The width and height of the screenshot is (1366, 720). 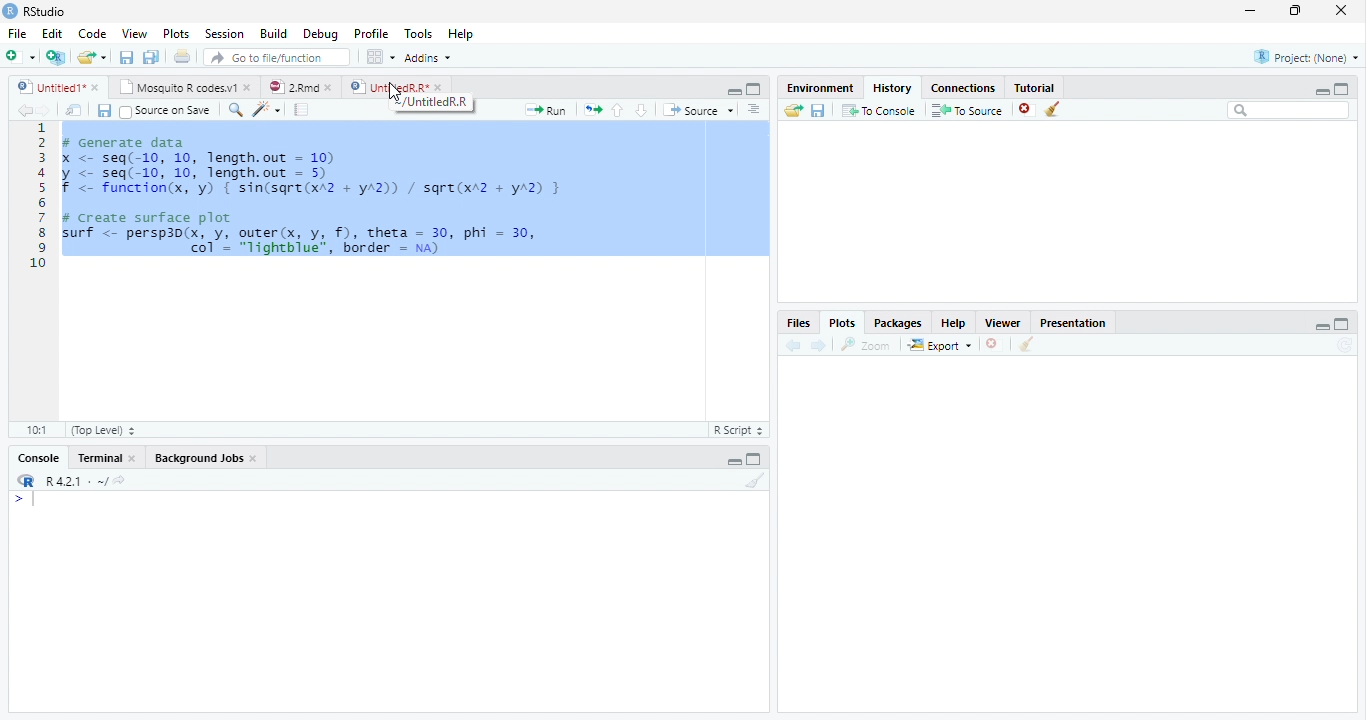 What do you see at coordinates (38, 196) in the screenshot?
I see `Line numbers` at bounding box center [38, 196].